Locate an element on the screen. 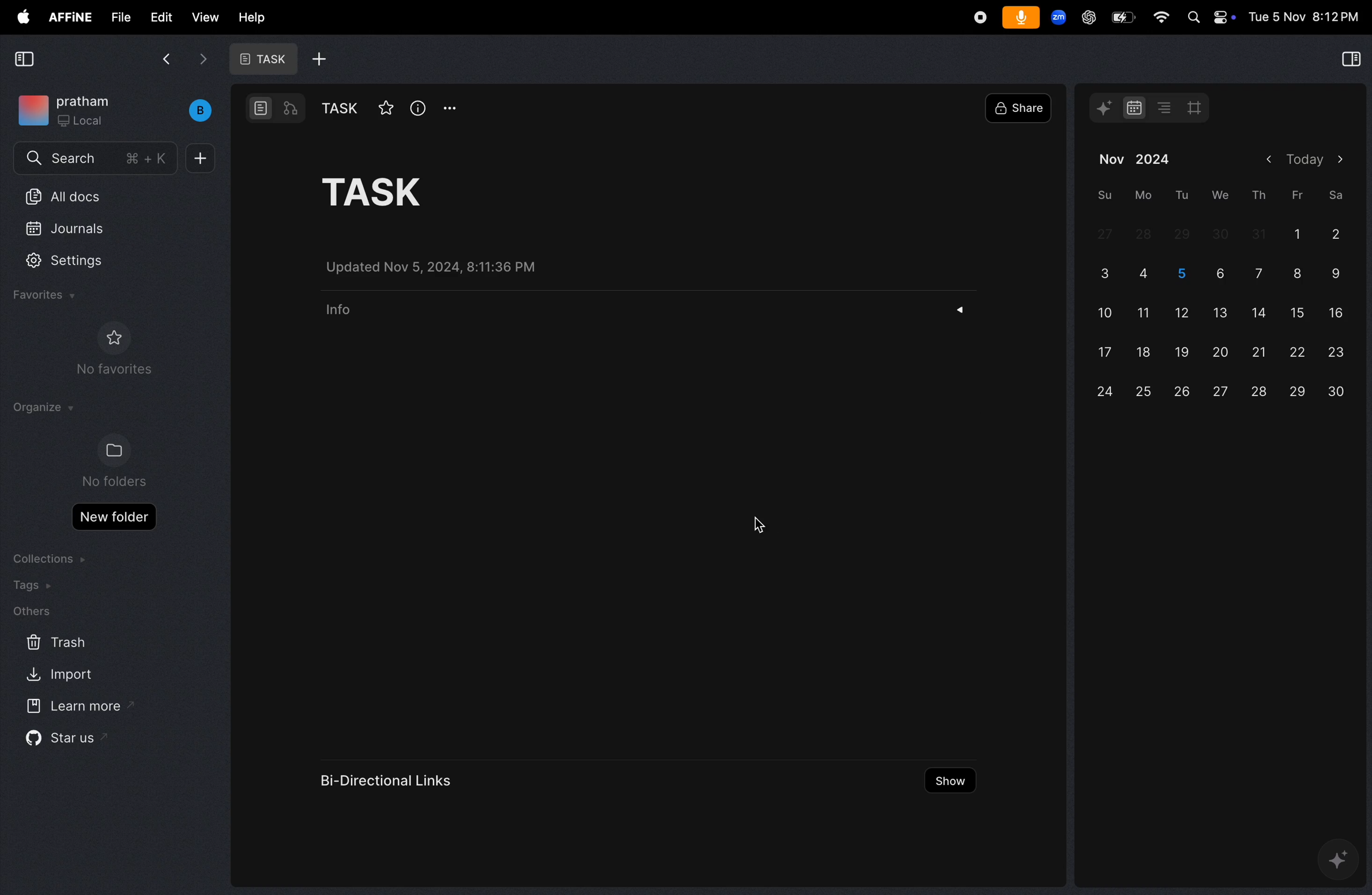 The height and width of the screenshot is (895, 1372). opyions is located at coordinates (450, 108).